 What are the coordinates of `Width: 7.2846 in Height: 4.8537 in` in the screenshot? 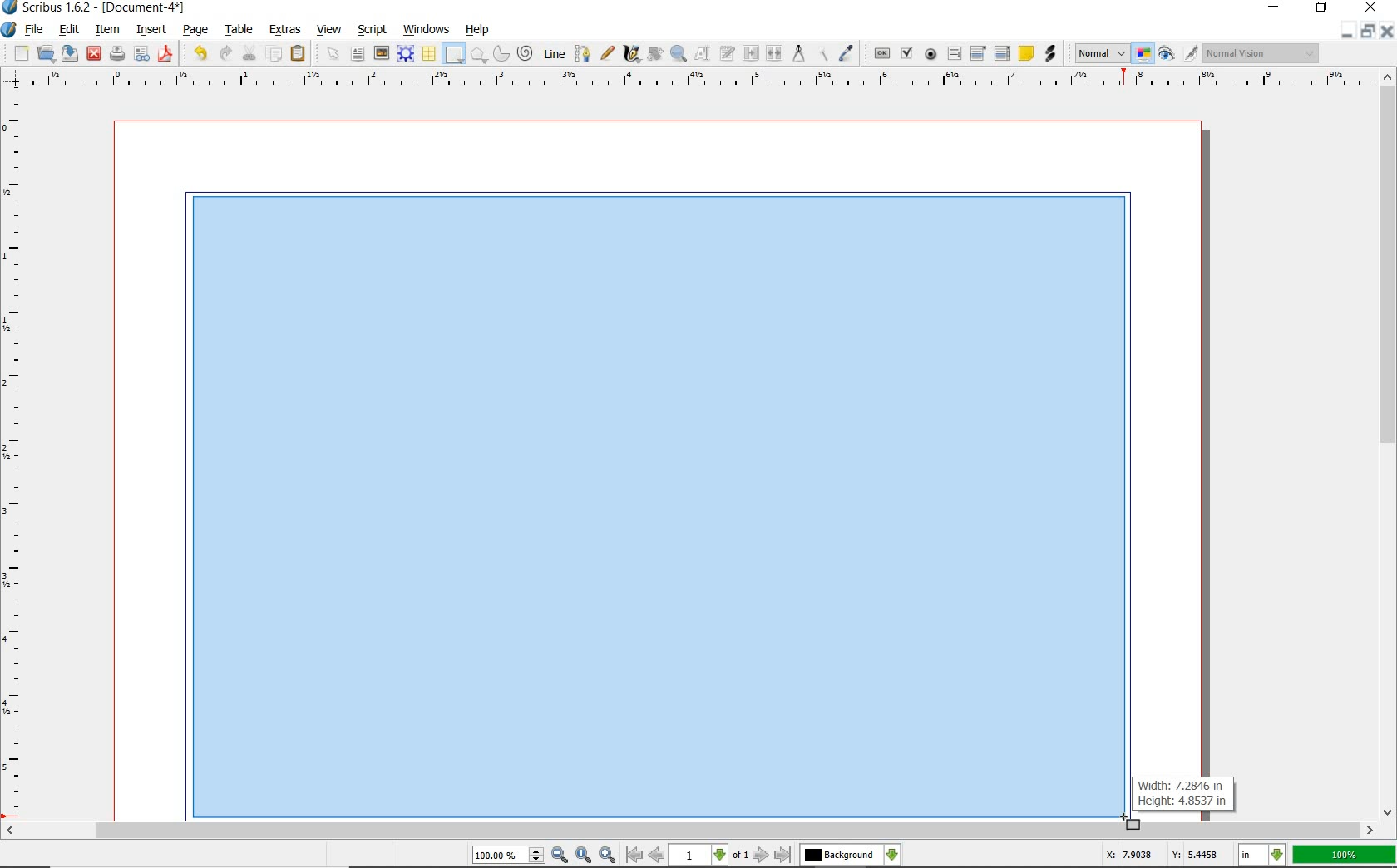 It's located at (1184, 793).